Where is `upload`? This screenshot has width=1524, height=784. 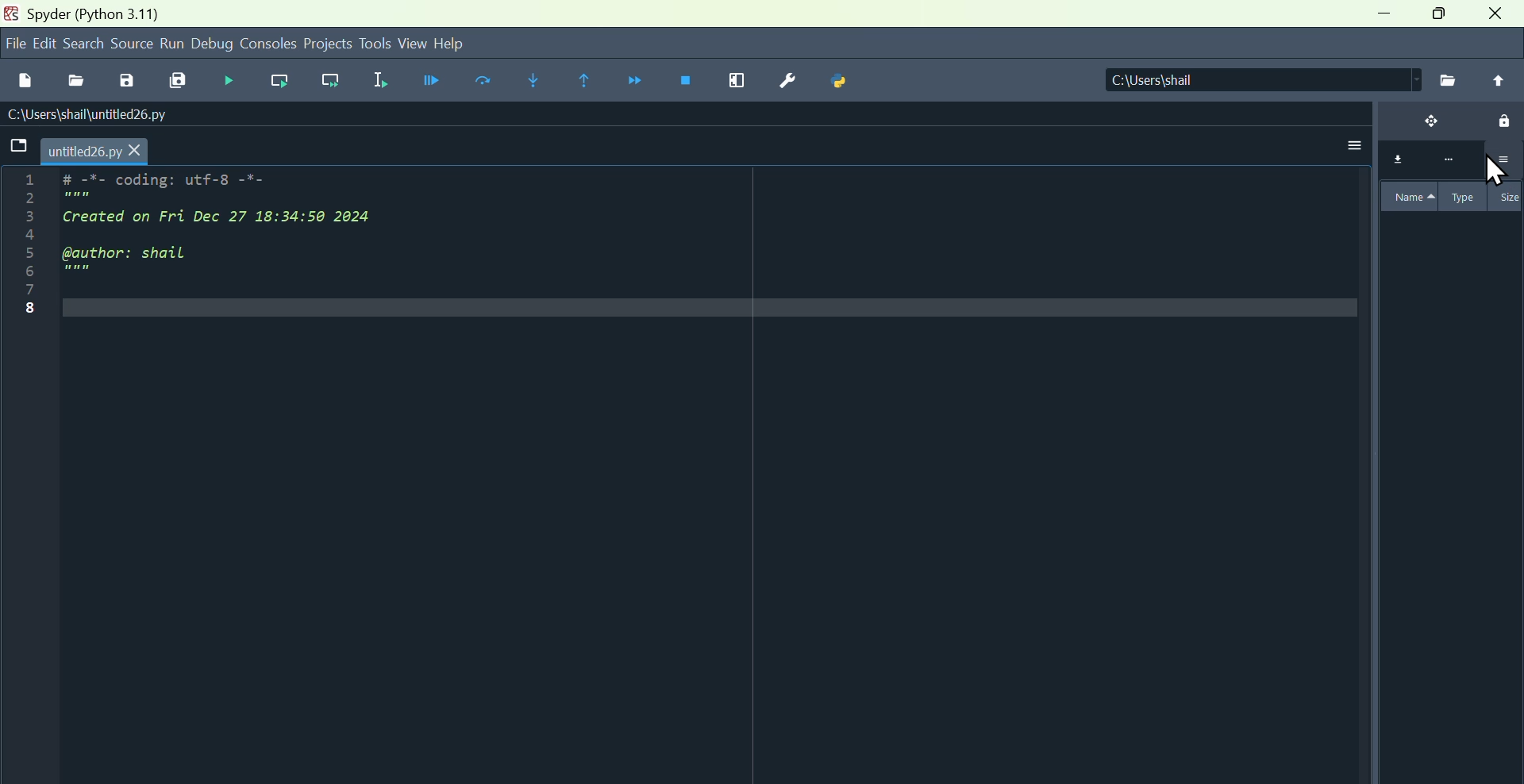
upload is located at coordinates (1499, 80).